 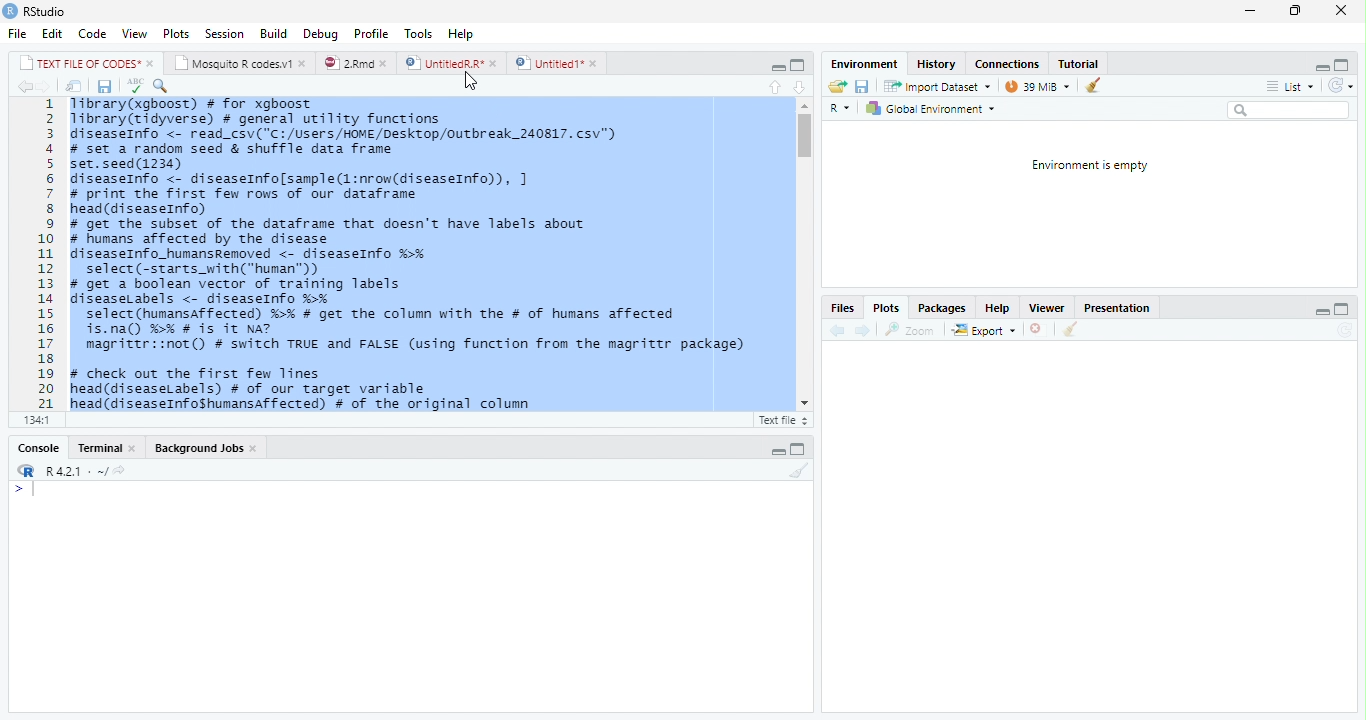 What do you see at coordinates (1322, 309) in the screenshot?
I see `Minimize` at bounding box center [1322, 309].